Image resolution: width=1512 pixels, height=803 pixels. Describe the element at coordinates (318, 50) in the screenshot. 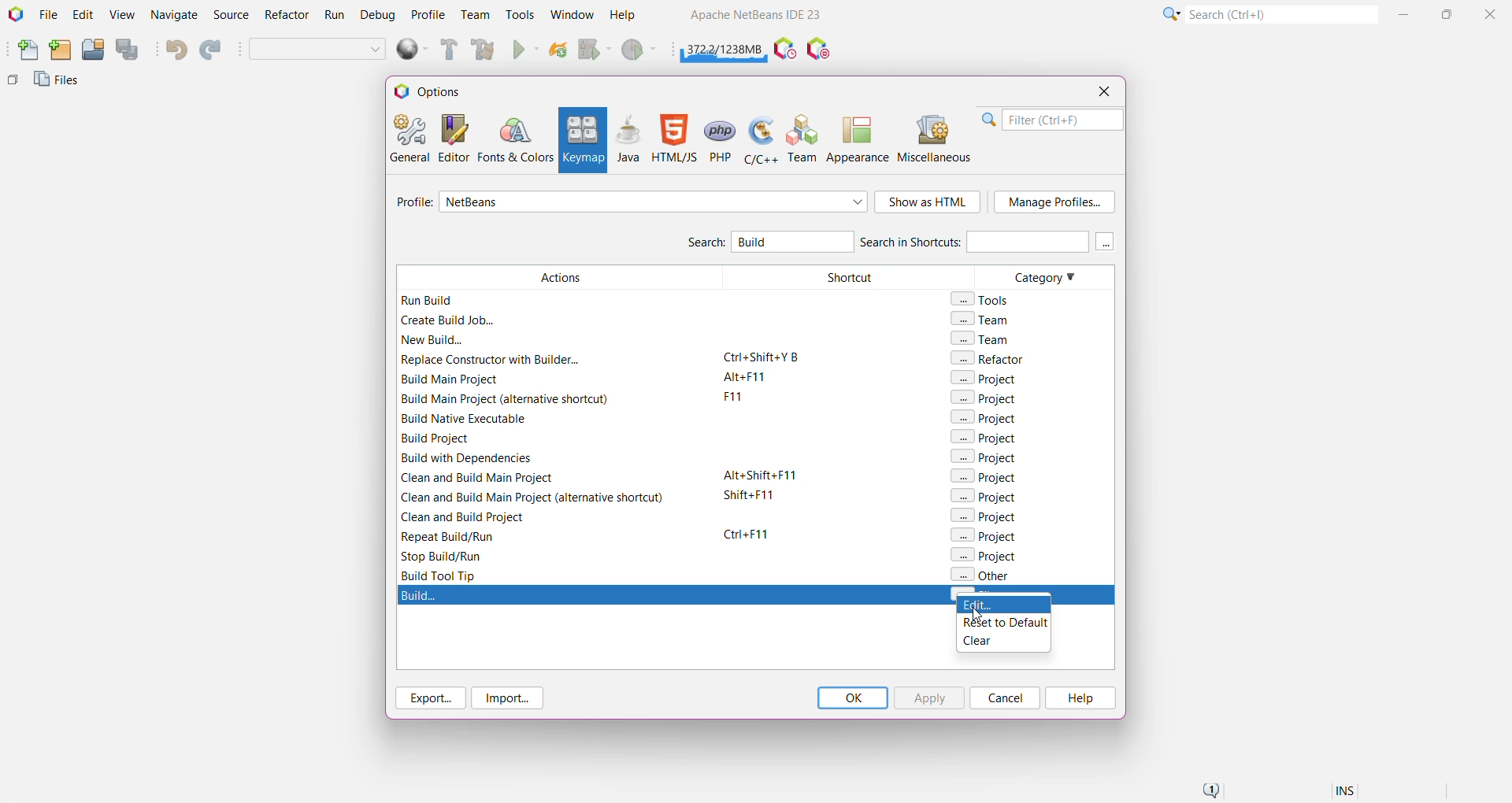

I see `Set Project Configuration` at that location.